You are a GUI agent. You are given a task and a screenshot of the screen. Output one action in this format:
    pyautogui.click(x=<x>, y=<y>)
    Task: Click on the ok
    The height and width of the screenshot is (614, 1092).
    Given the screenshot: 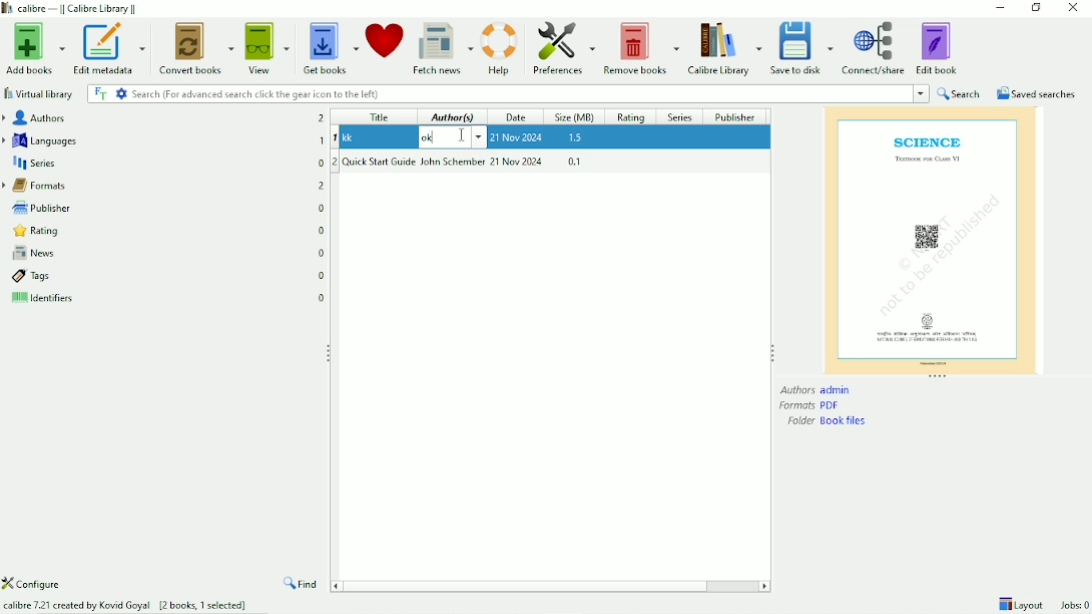 What is the action you would take?
    pyautogui.click(x=552, y=138)
    